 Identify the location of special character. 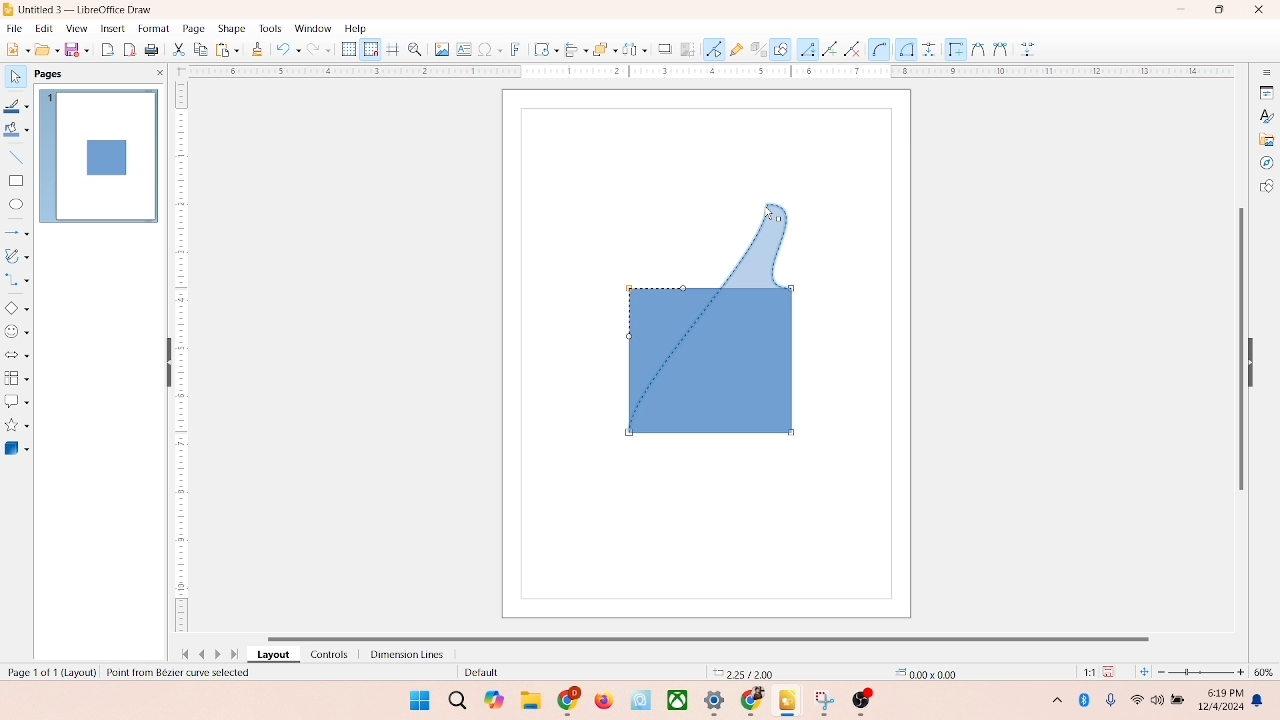
(490, 49).